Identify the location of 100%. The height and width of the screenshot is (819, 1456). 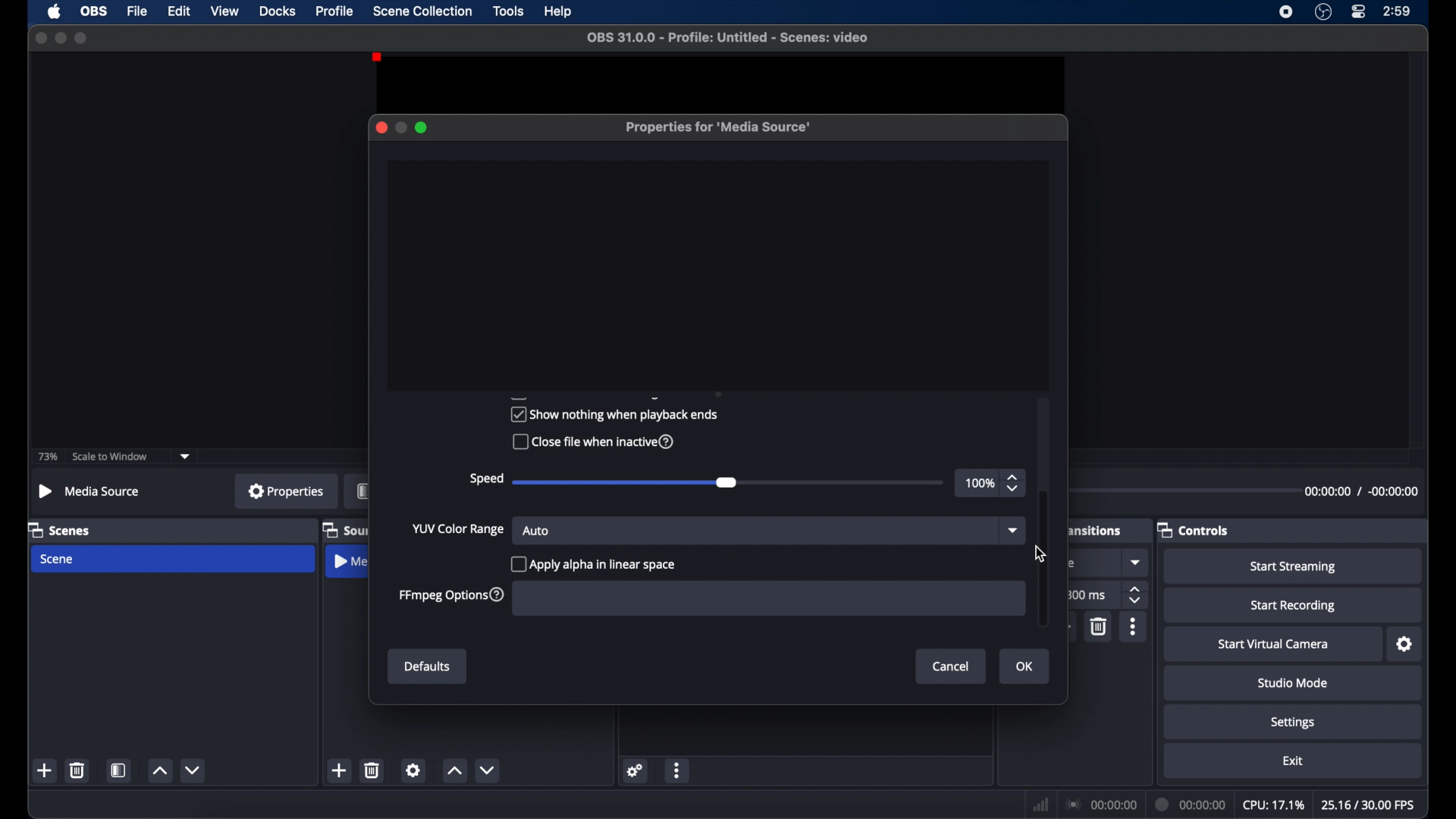
(980, 483).